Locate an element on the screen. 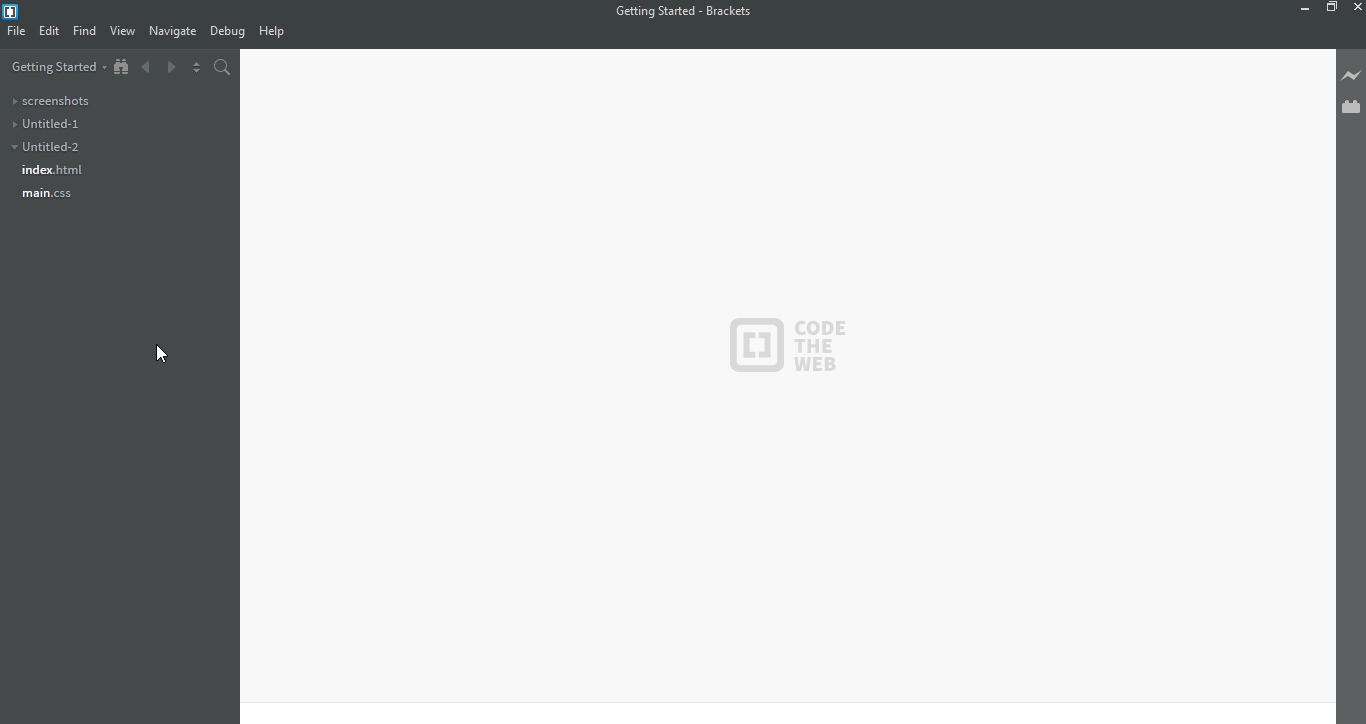 This screenshot has width=1366, height=724. view is located at coordinates (123, 31).